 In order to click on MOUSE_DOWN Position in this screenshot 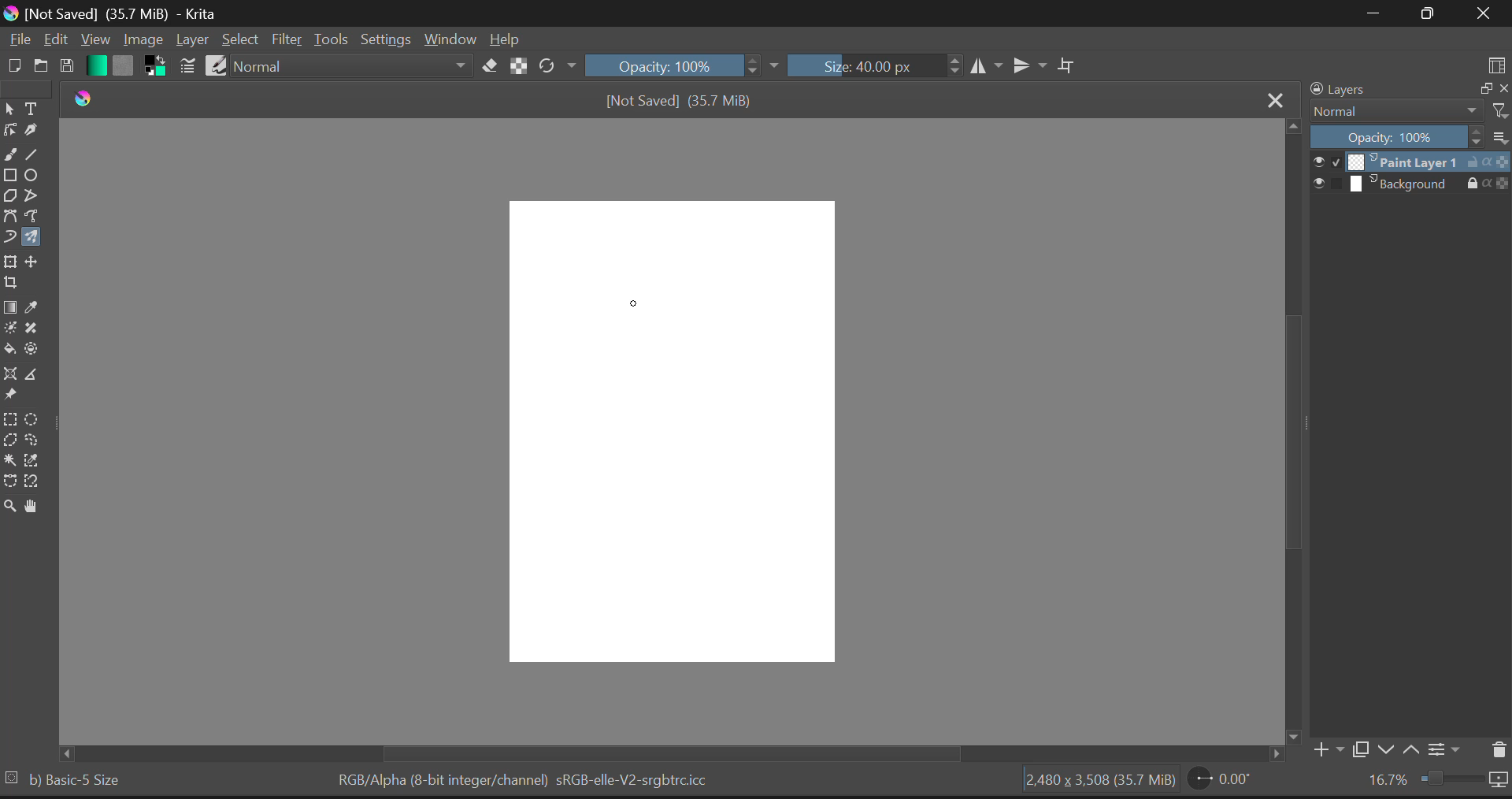, I will do `click(638, 307)`.